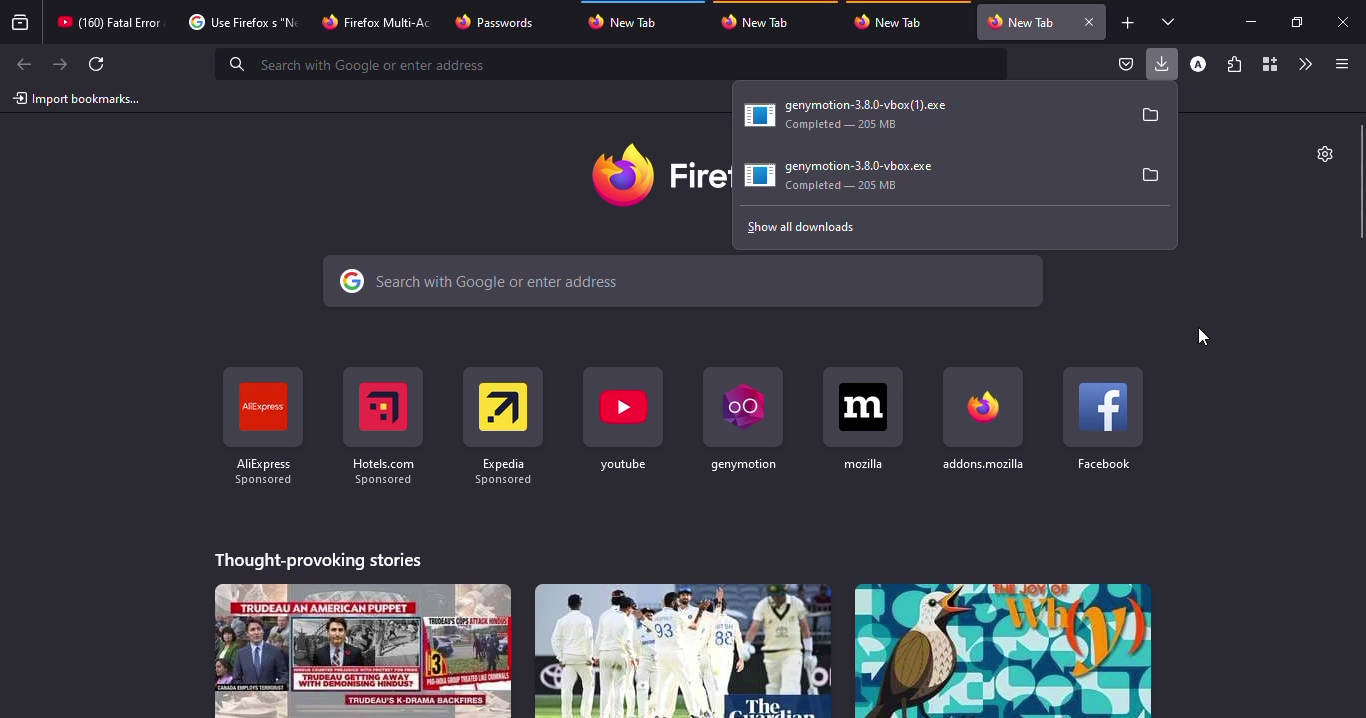  I want to click on stories, so click(320, 557).